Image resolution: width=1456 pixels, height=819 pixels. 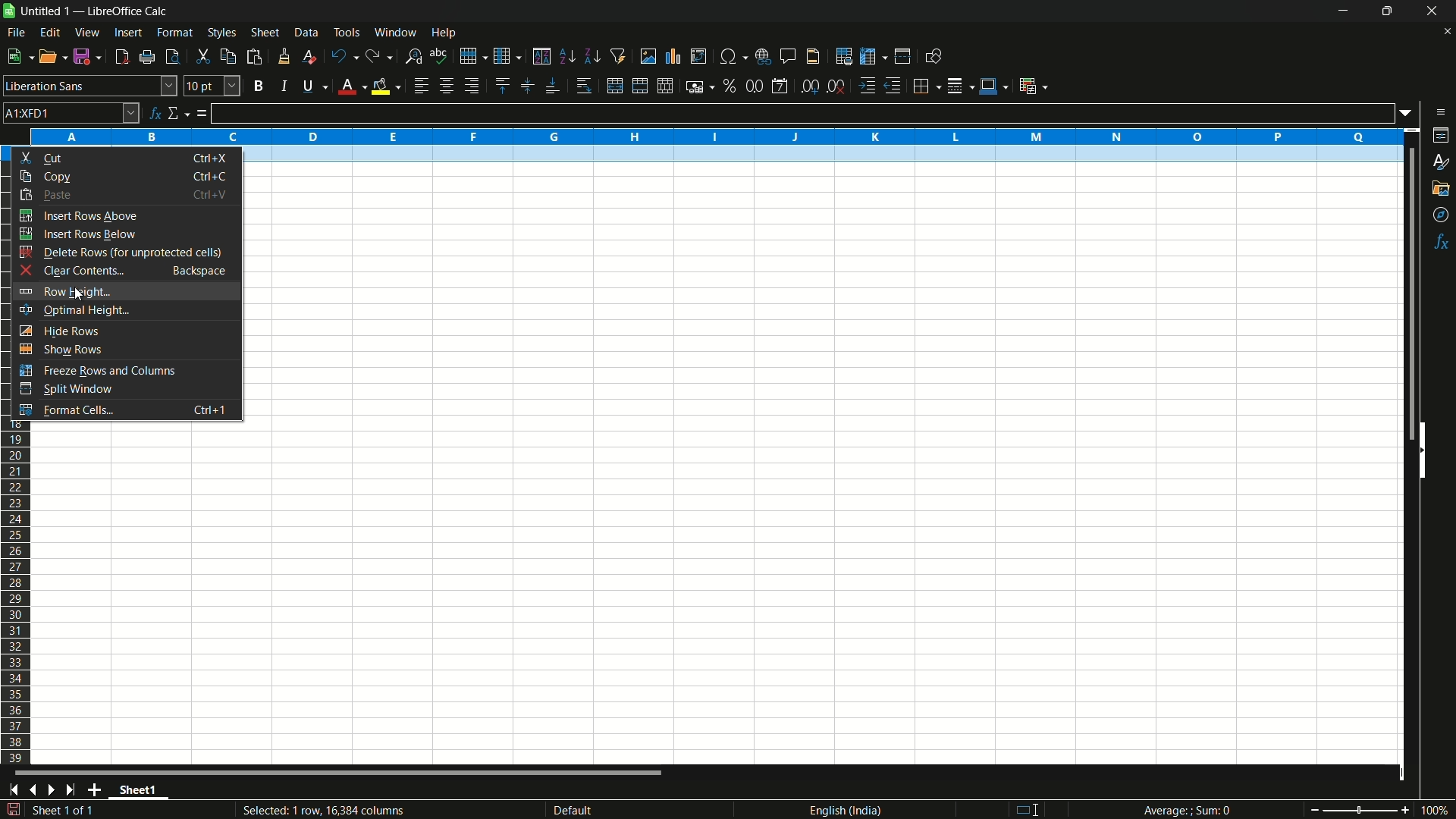 I want to click on open file, so click(x=54, y=57).